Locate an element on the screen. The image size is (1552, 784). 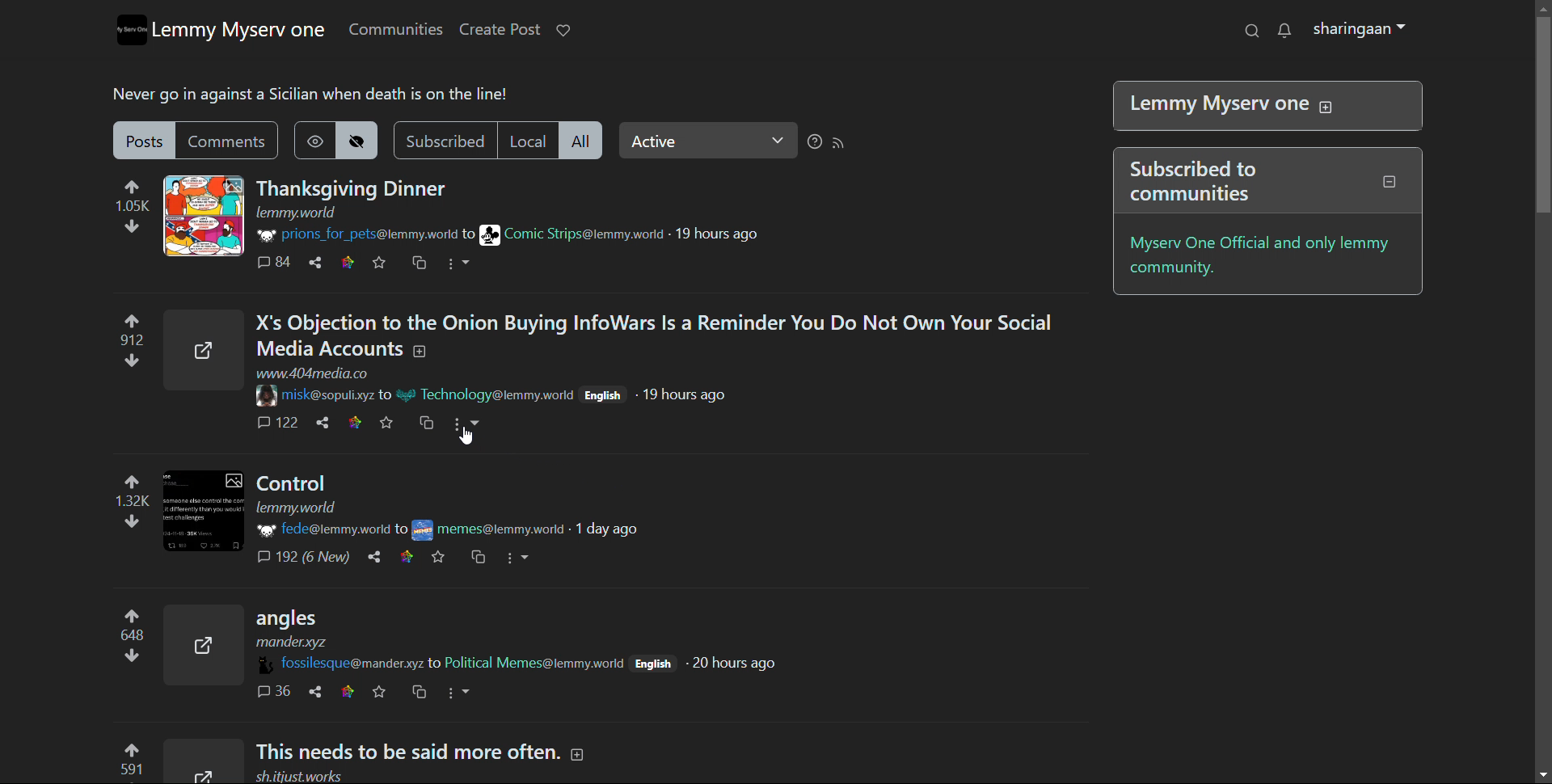
show hidden posts is located at coordinates (314, 140).